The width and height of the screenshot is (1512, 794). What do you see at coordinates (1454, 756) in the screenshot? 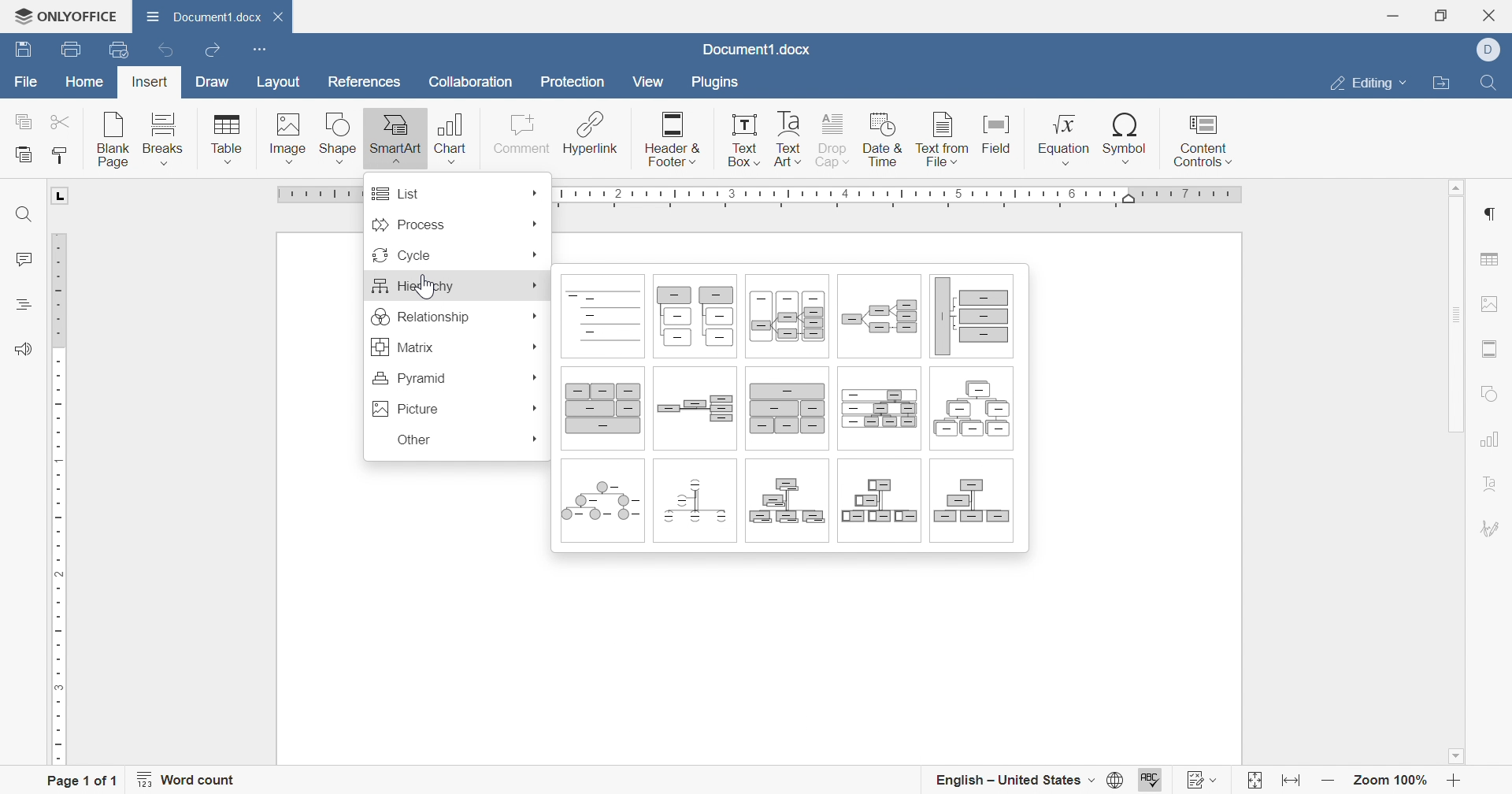
I see `Scroll down` at bounding box center [1454, 756].